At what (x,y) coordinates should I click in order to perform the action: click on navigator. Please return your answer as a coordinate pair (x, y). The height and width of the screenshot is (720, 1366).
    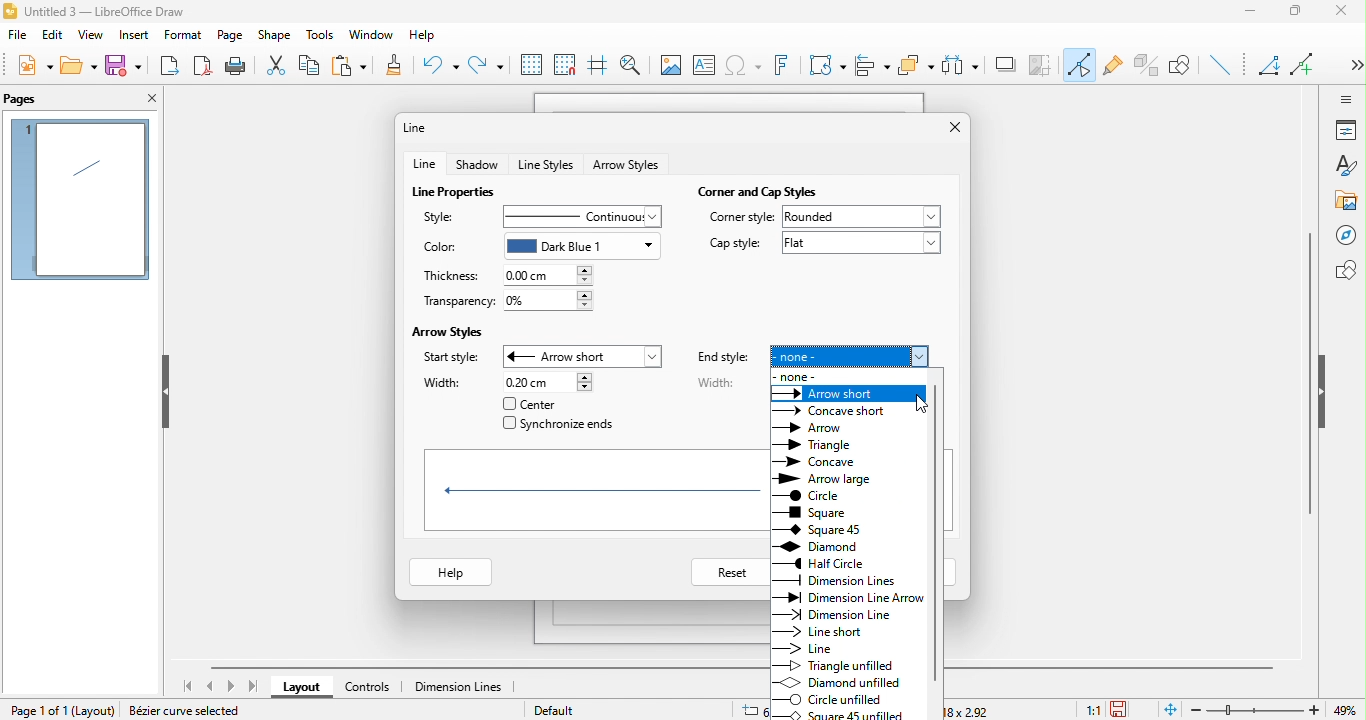
    Looking at the image, I should click on (1345, 235).